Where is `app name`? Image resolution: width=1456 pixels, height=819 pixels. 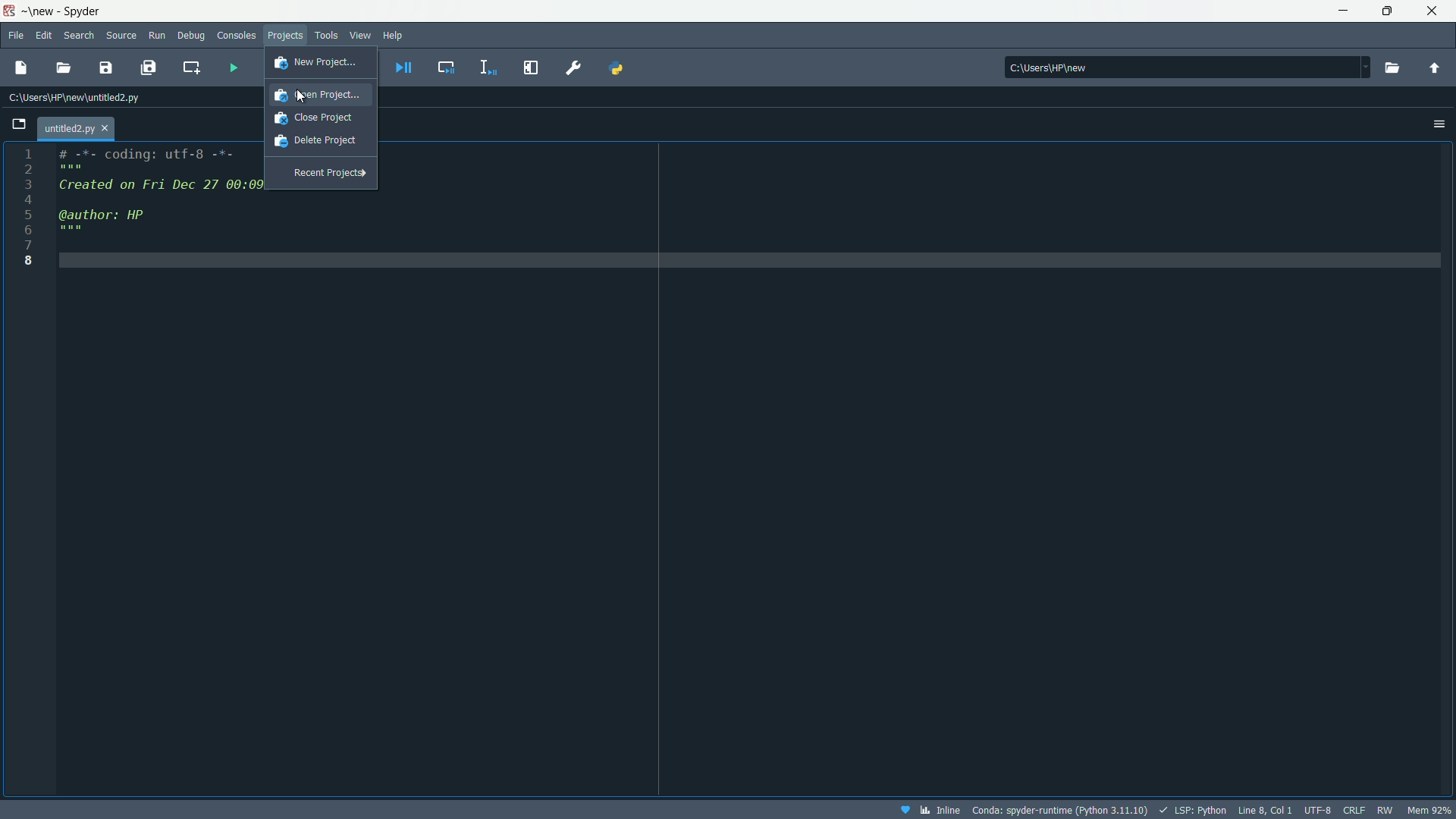 app name is located at coordinates (59, 12).